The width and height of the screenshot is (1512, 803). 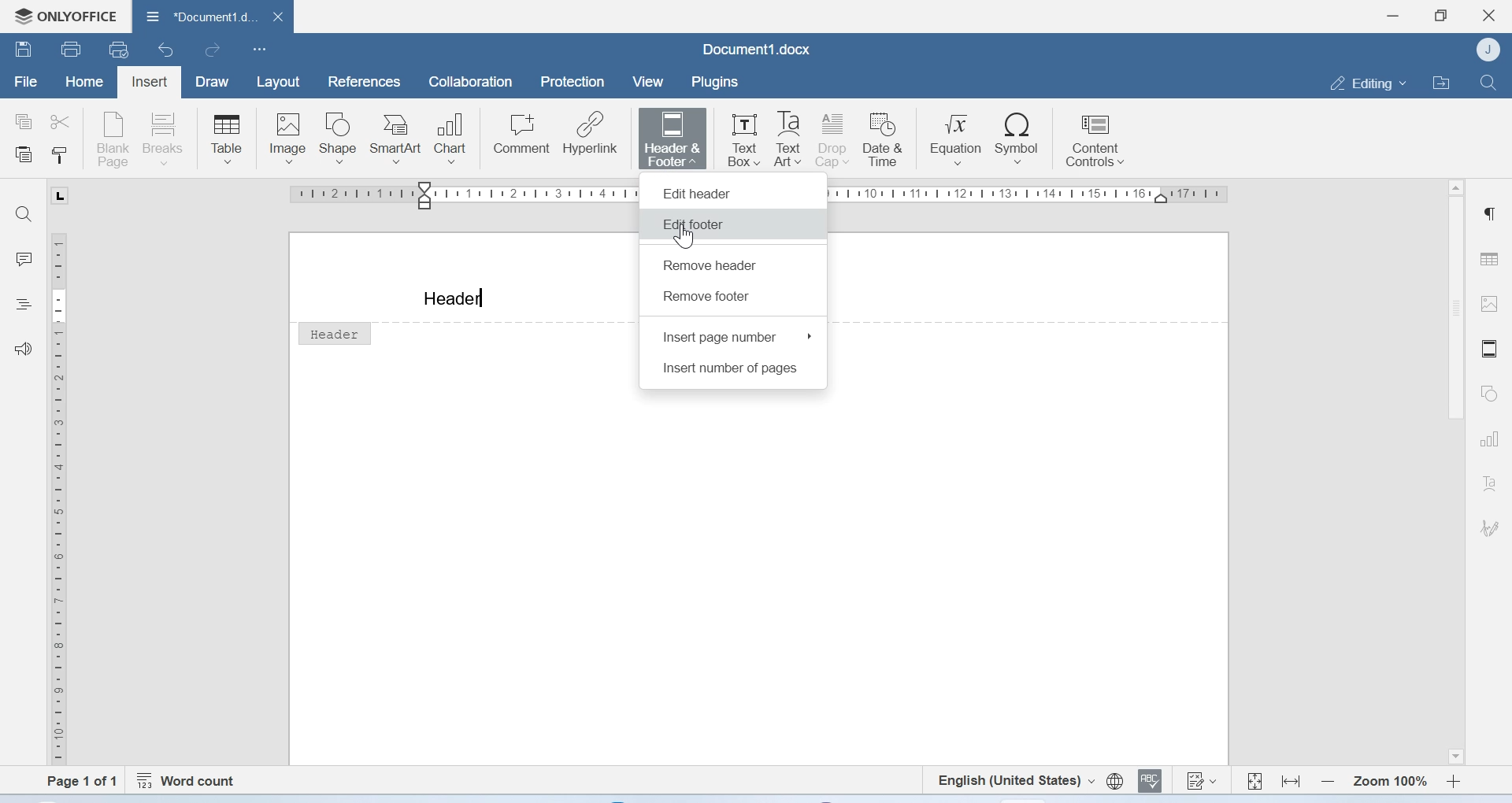 I want to click on Text, so click(x=1489, y=483).